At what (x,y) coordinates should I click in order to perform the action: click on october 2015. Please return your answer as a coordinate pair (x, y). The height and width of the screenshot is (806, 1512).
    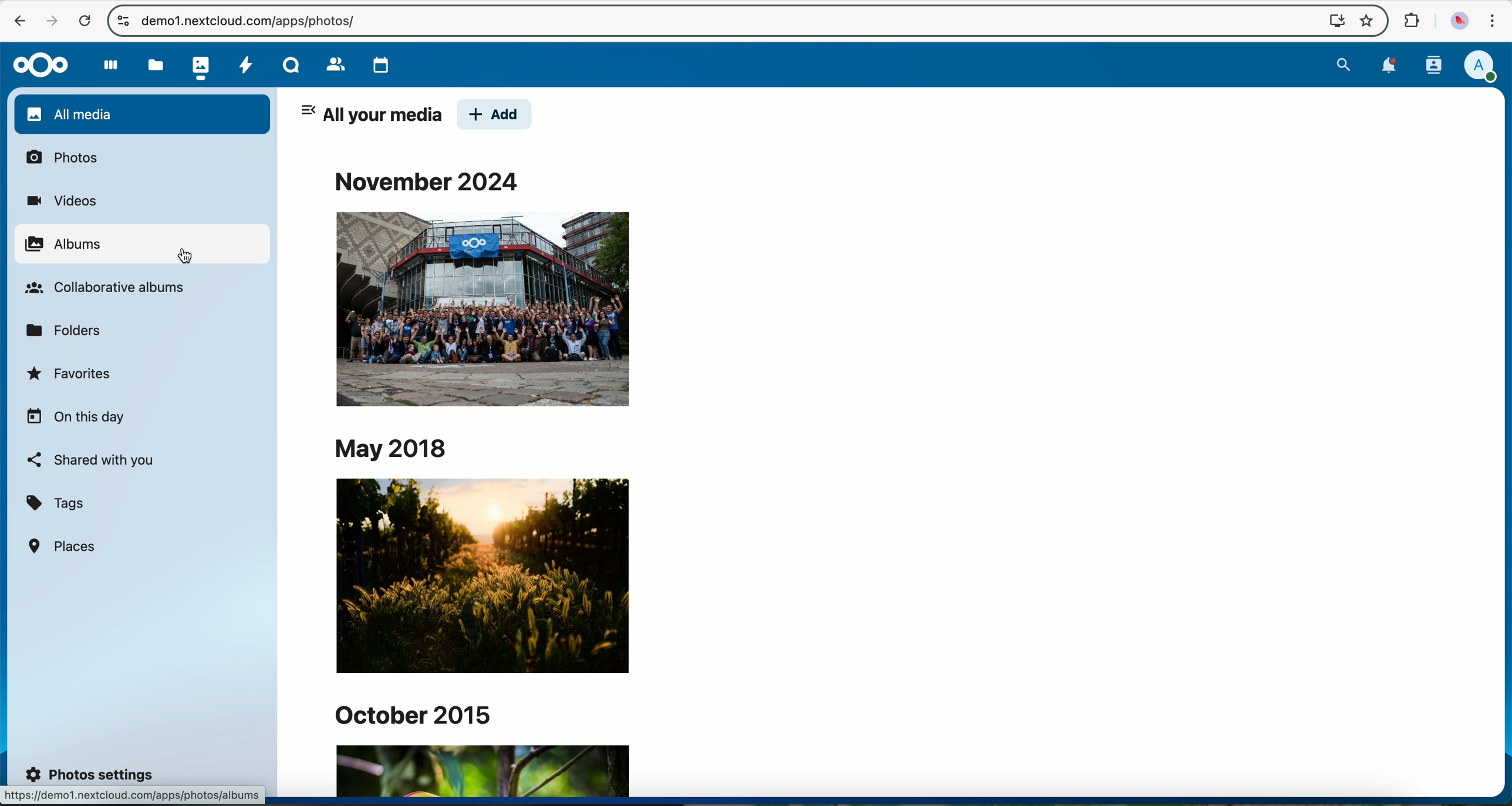
    Looking at the image, I should click on (416, 715).